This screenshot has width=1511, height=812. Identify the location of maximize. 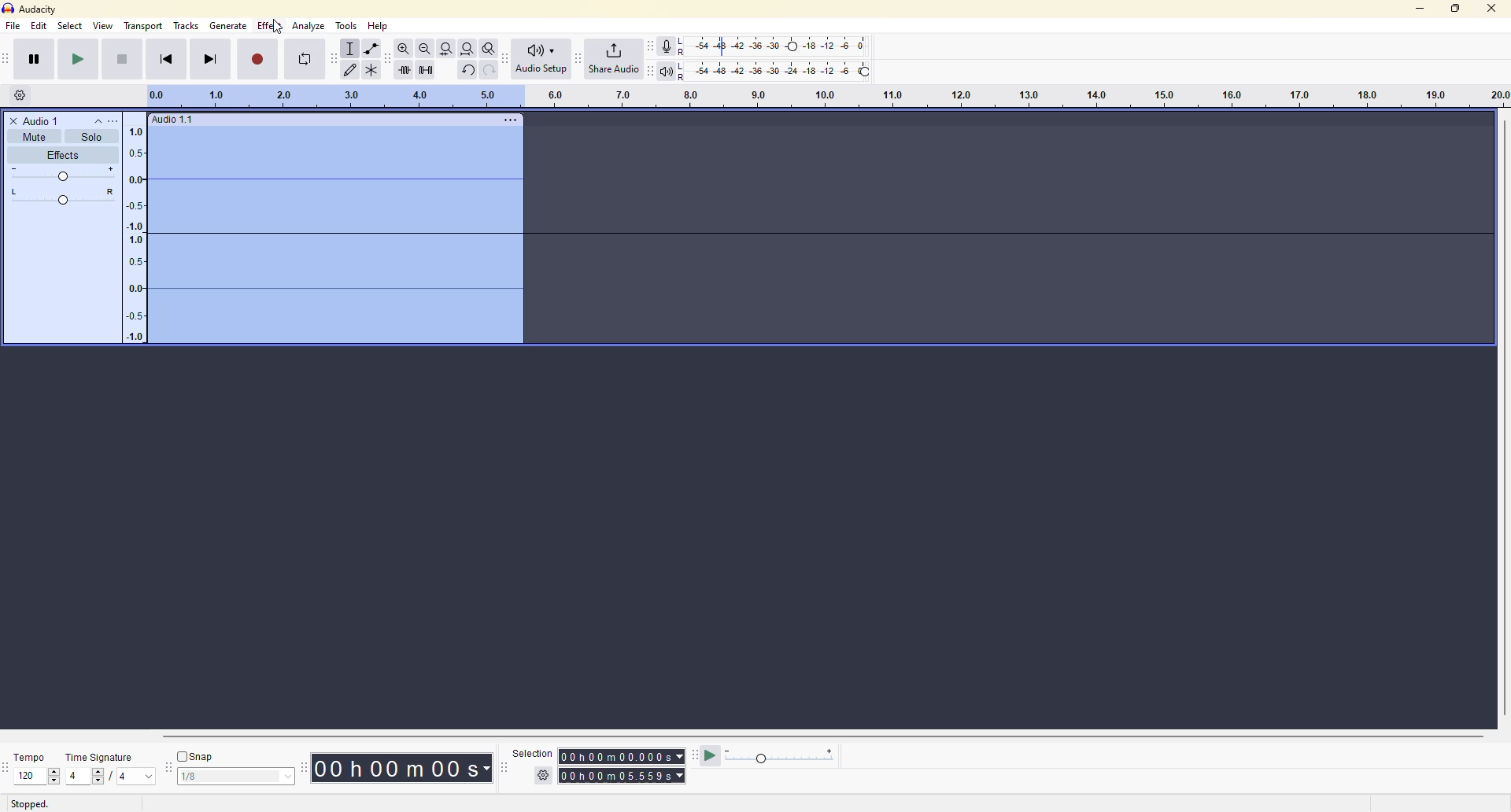
(1455, 7).